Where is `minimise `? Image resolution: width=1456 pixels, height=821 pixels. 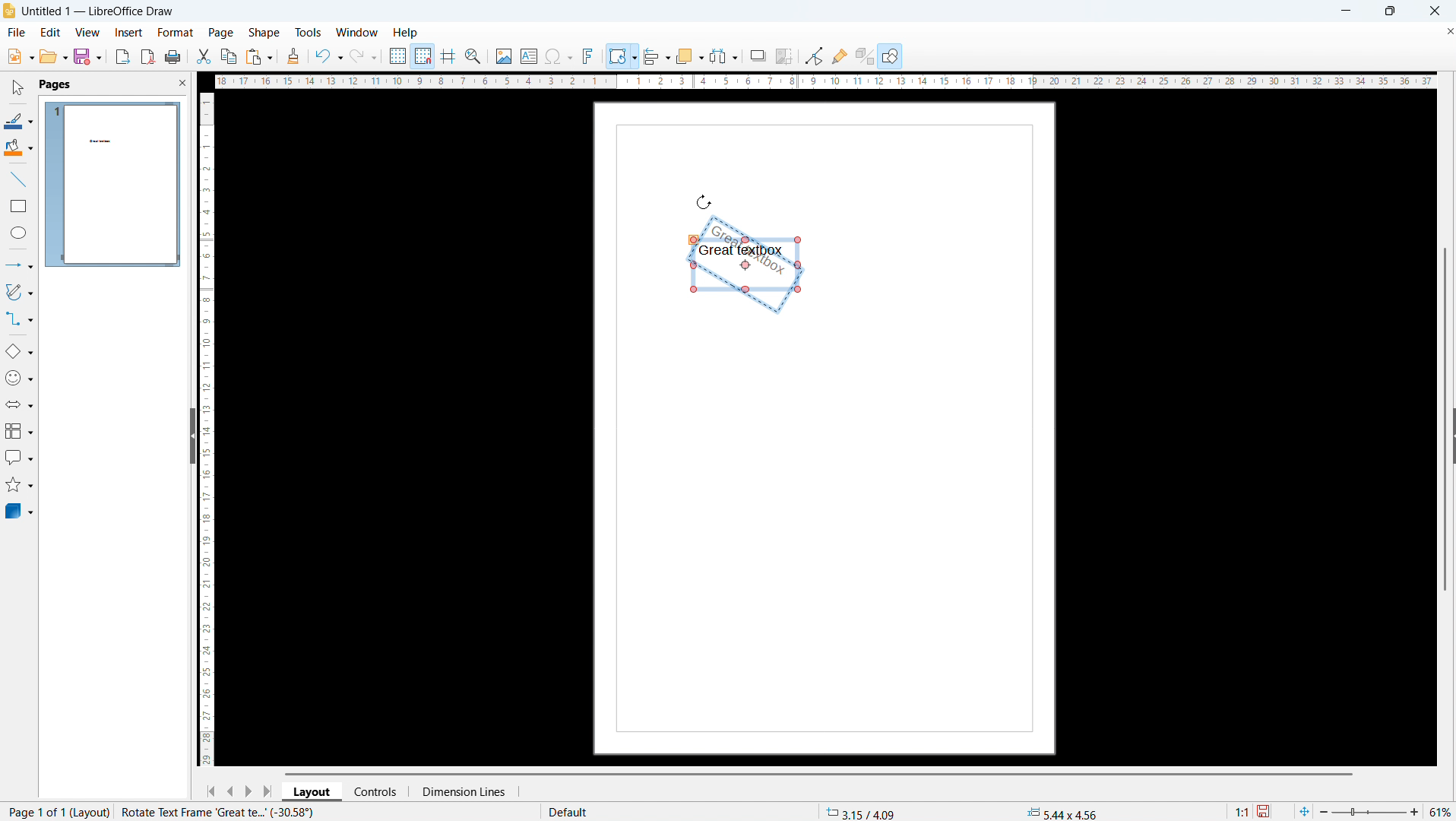
minimise  is located at coordinates (1340, 11).